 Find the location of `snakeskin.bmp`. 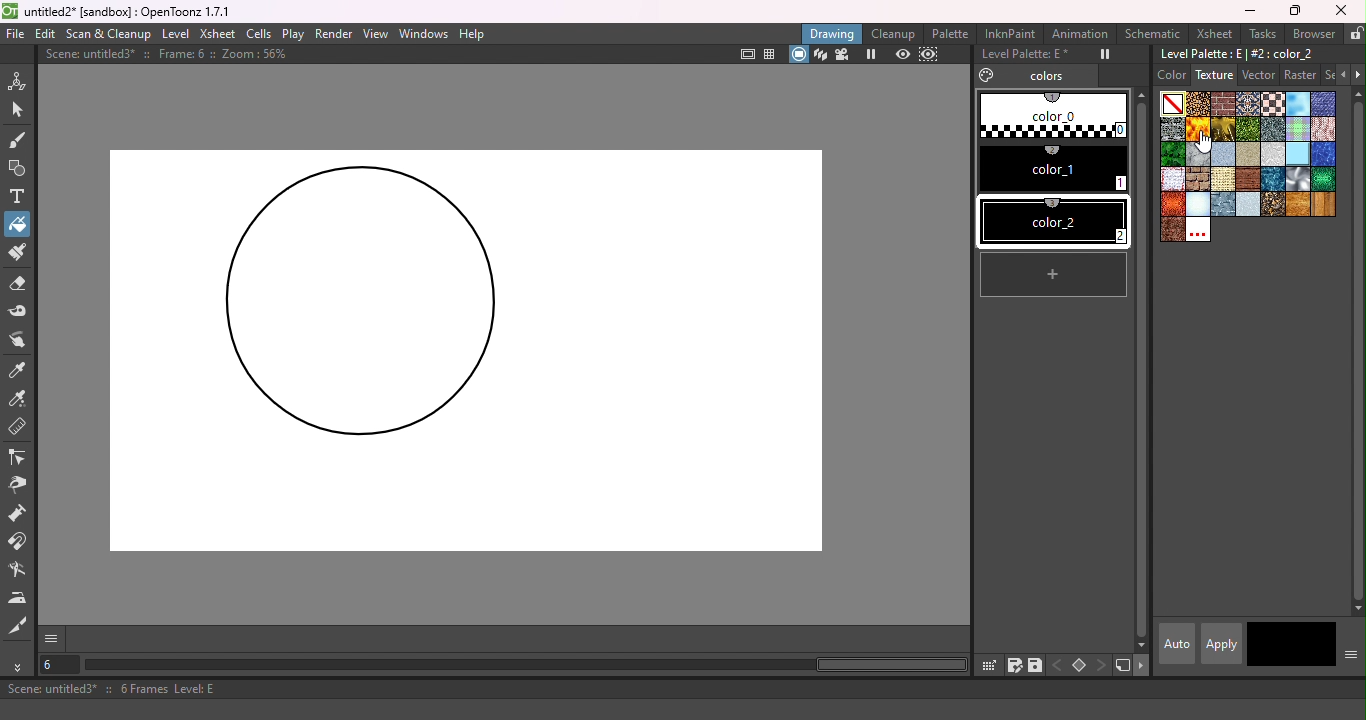

snakeskin.bmp is located at coordinates (1323, 179).